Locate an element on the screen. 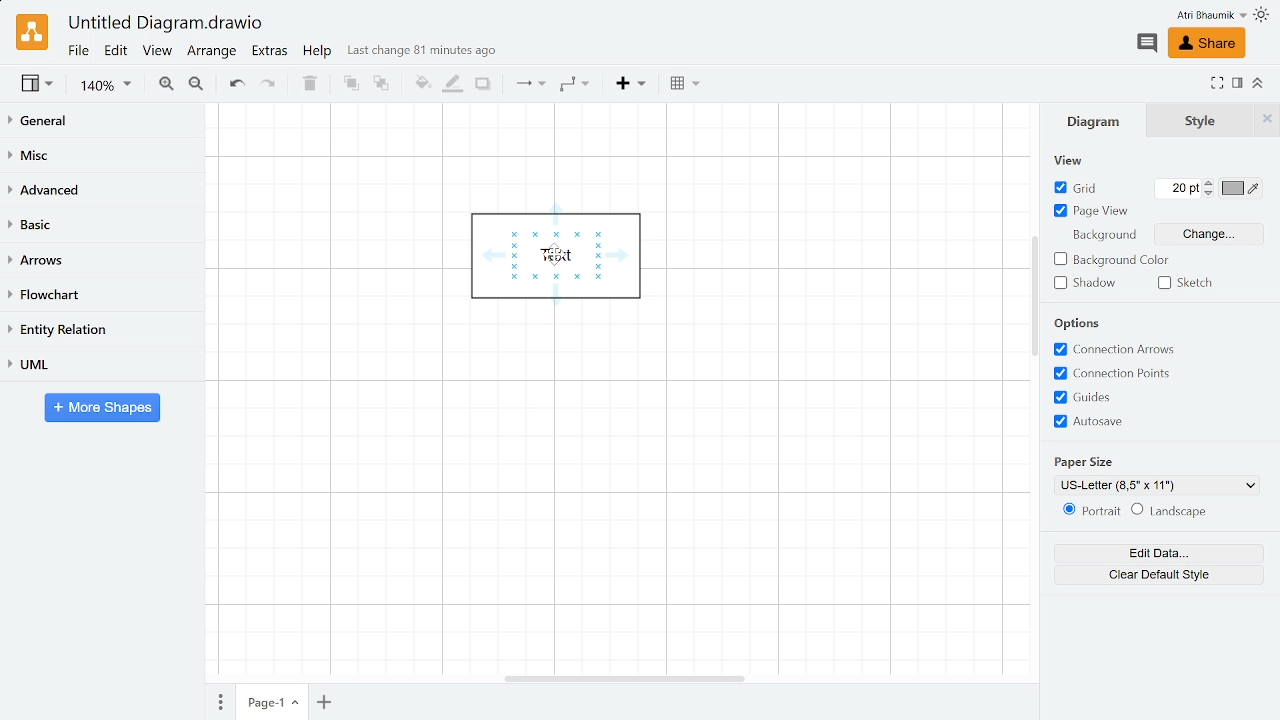 The height and width of the screenshot is (720, 1280). Entity relation is located at coordinates (100, 330).